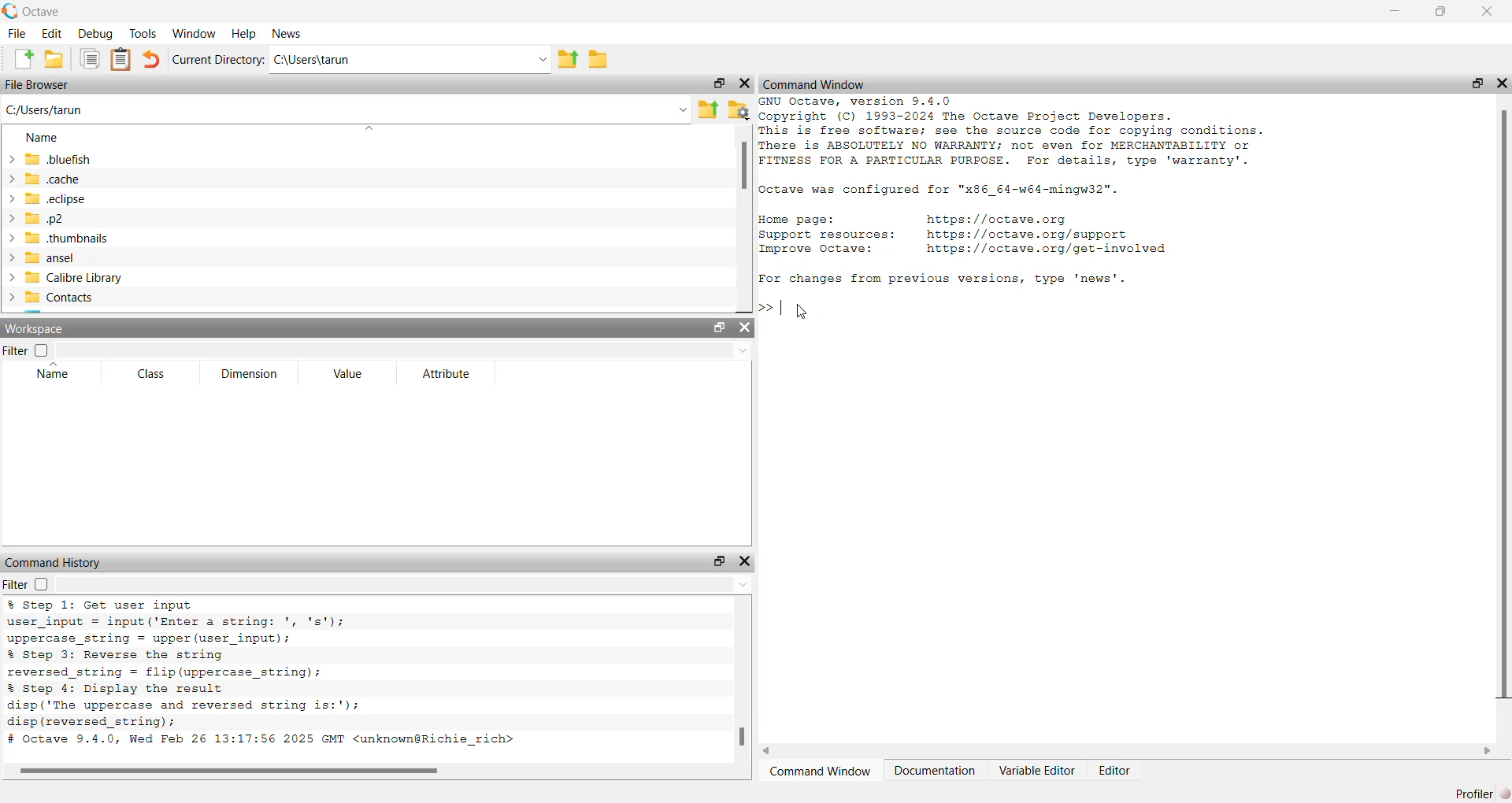  Describe the element at coordinates (217, 58) in the screenshot. I see `current directory` at that location.